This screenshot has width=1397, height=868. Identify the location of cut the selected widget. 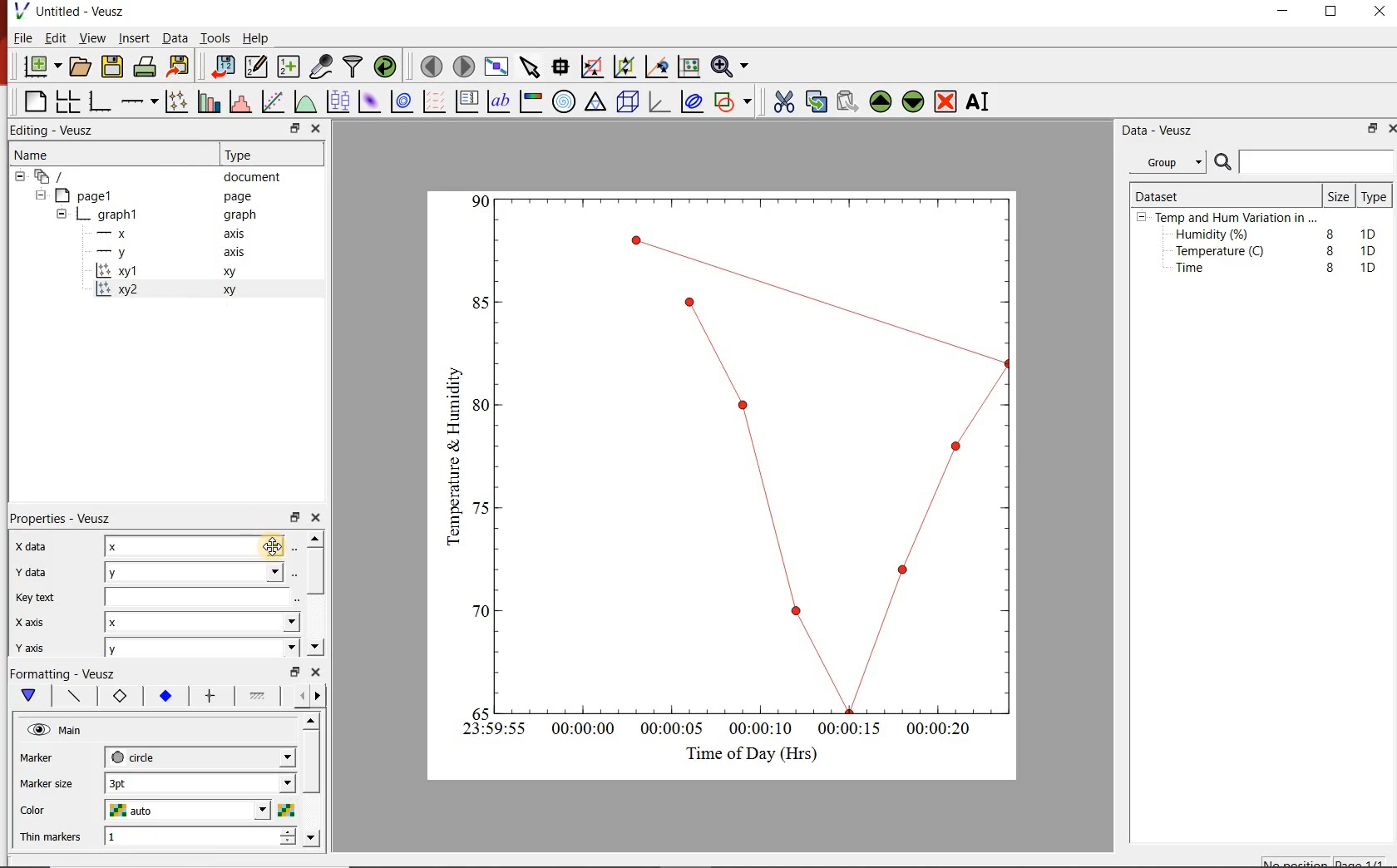
(782, 100).